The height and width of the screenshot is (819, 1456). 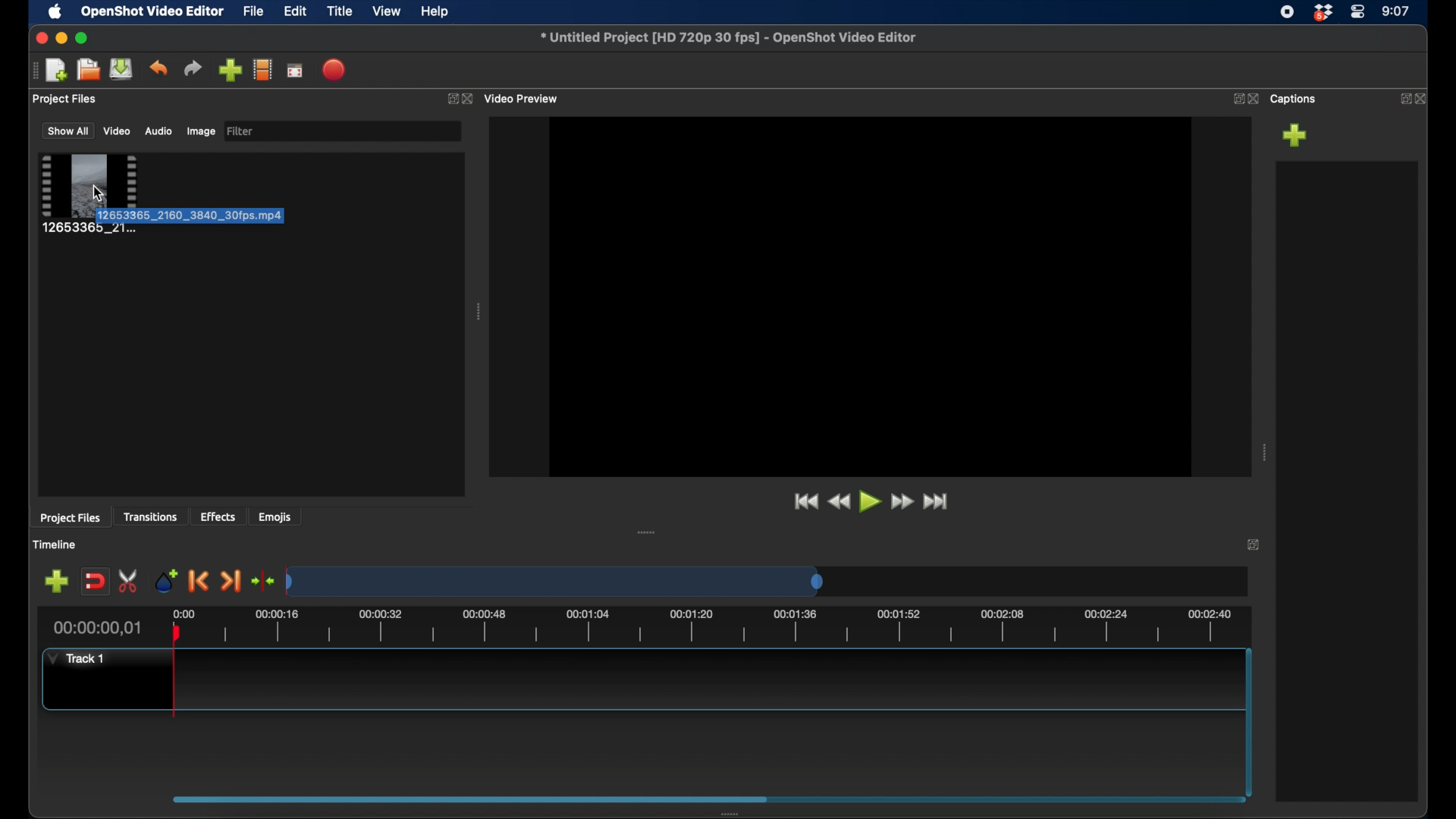 I want to click on close, so click(x=1424, y=97).